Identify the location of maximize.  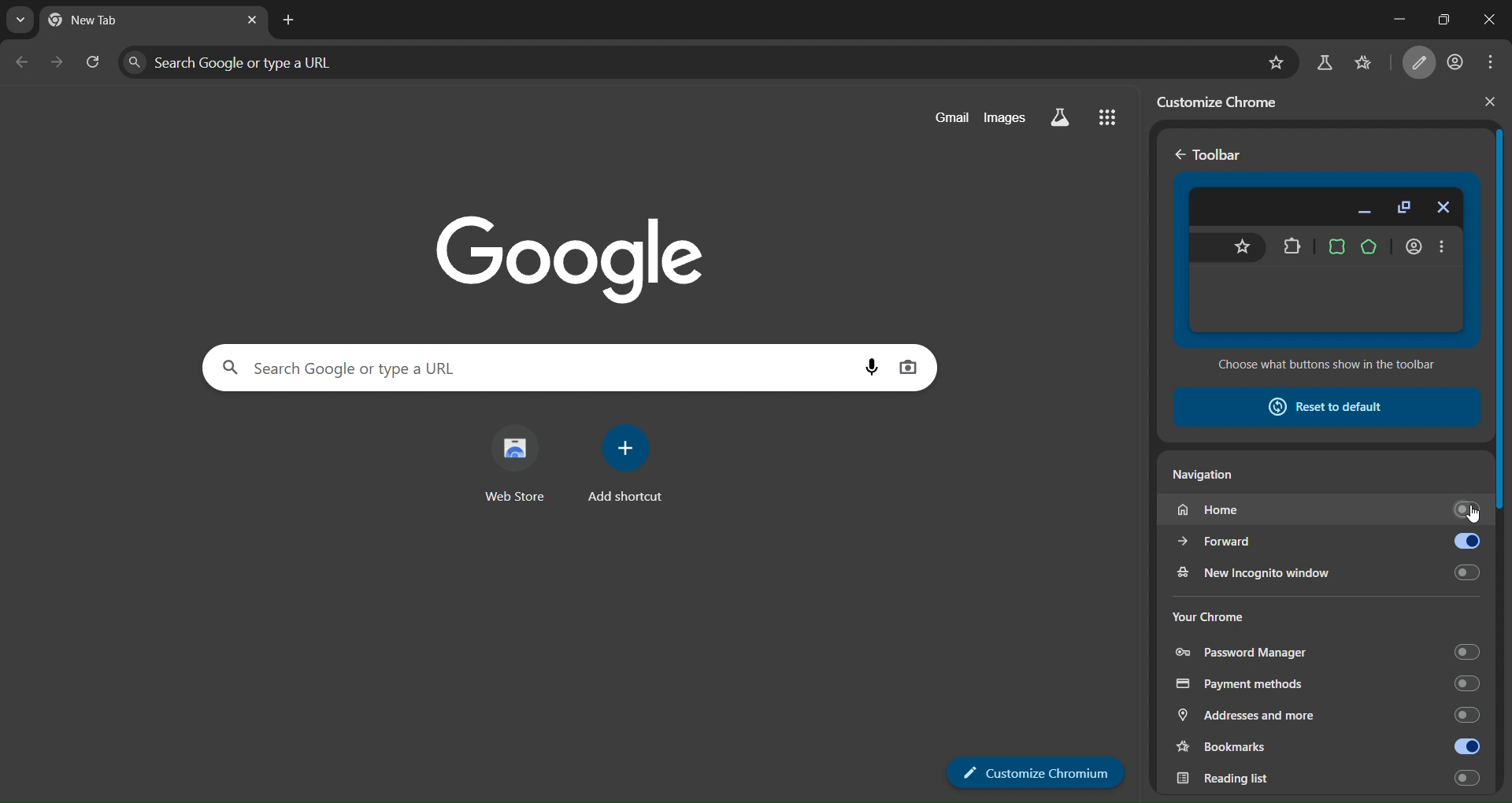
(1440, 18).